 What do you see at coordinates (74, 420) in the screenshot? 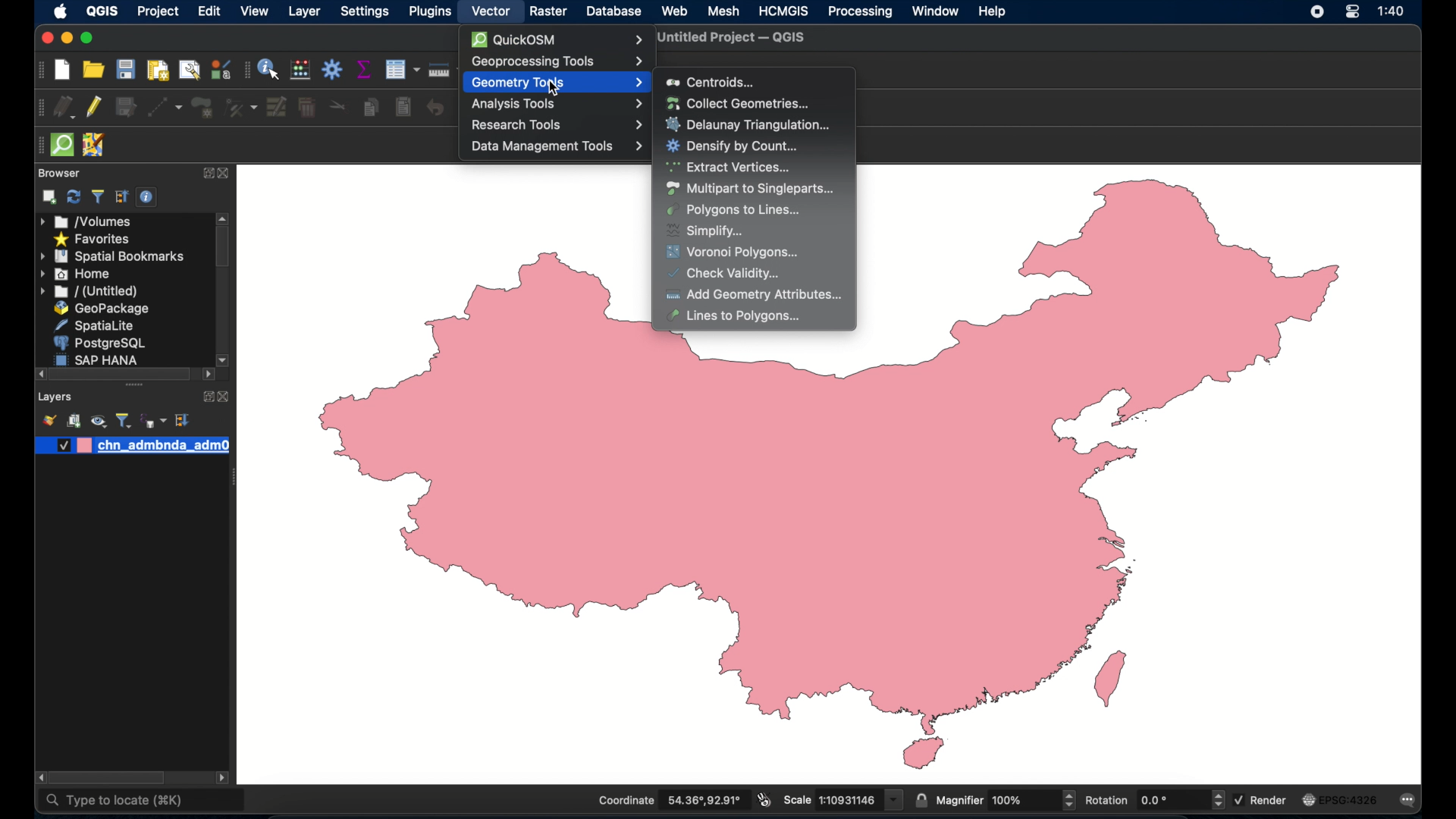
I see `add group` at bounding box center [74, 420].